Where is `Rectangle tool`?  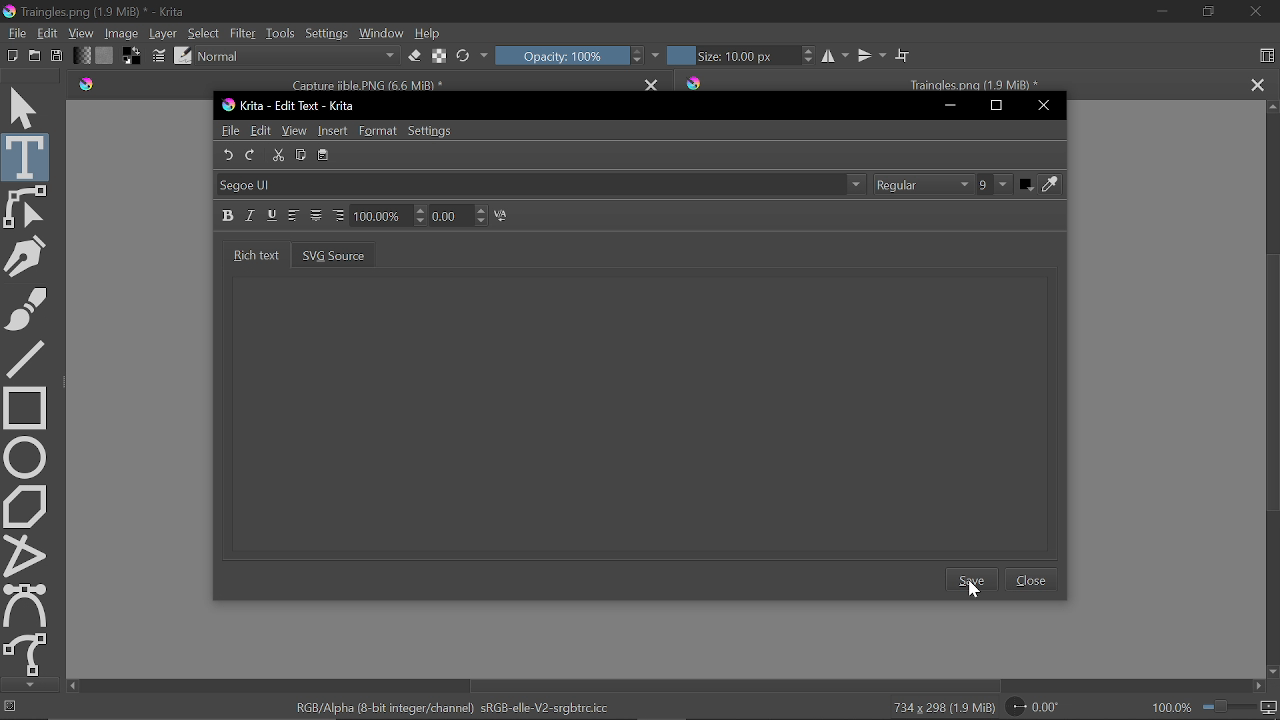
Rectangle tool is located at coordinates (24, 406).